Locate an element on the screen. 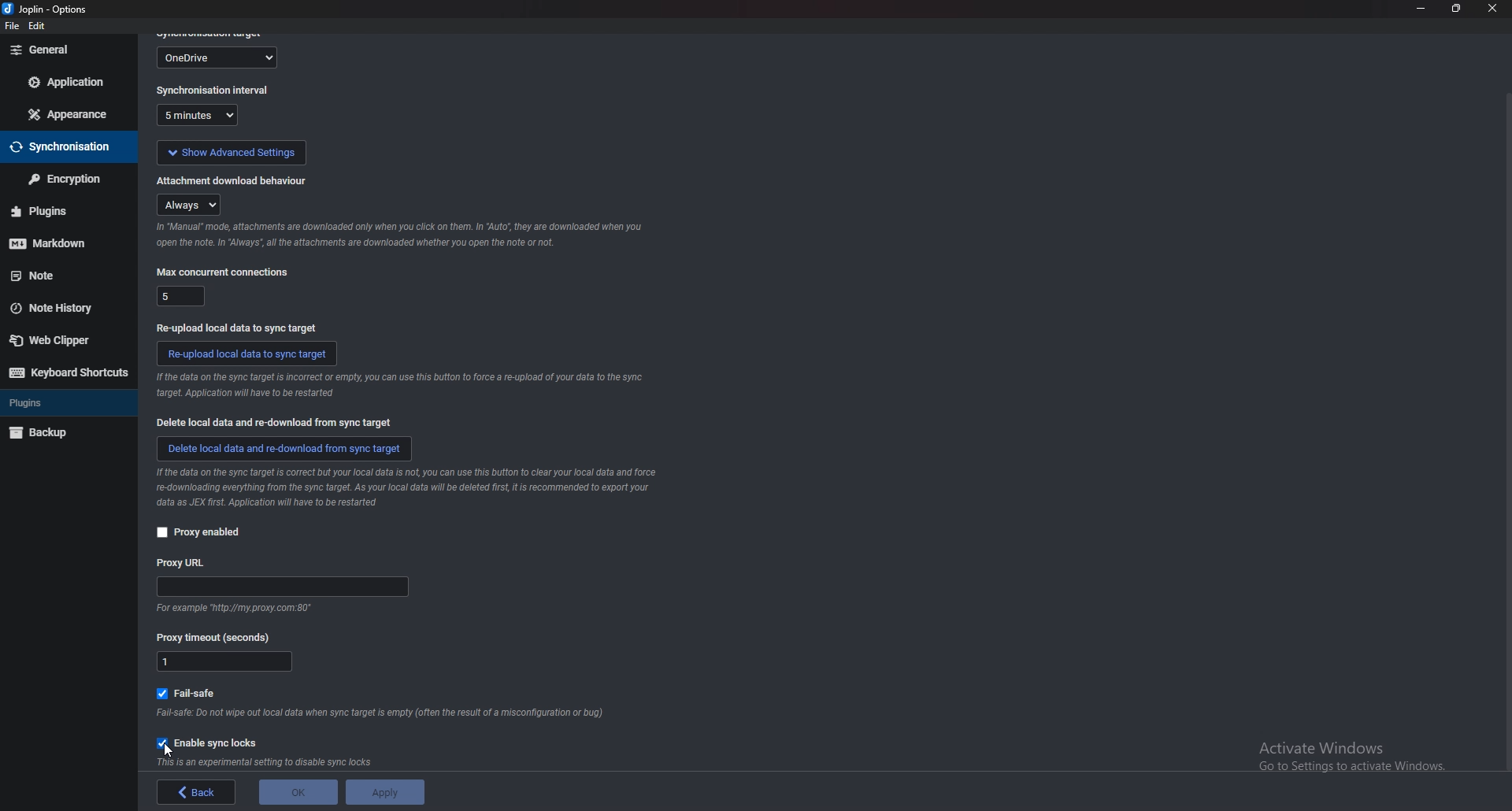  info is located at coordinates (231, 609).